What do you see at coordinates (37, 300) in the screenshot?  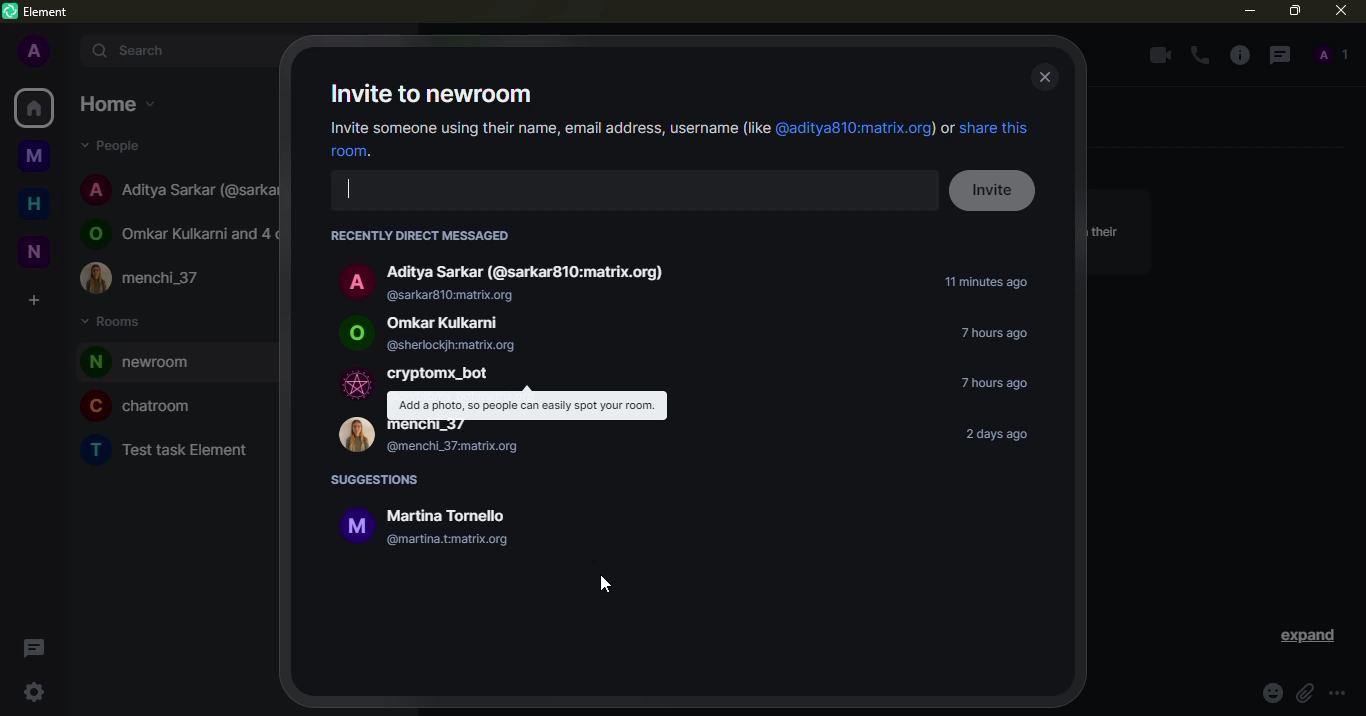 I see `create space` at bounding box center [37, 300].